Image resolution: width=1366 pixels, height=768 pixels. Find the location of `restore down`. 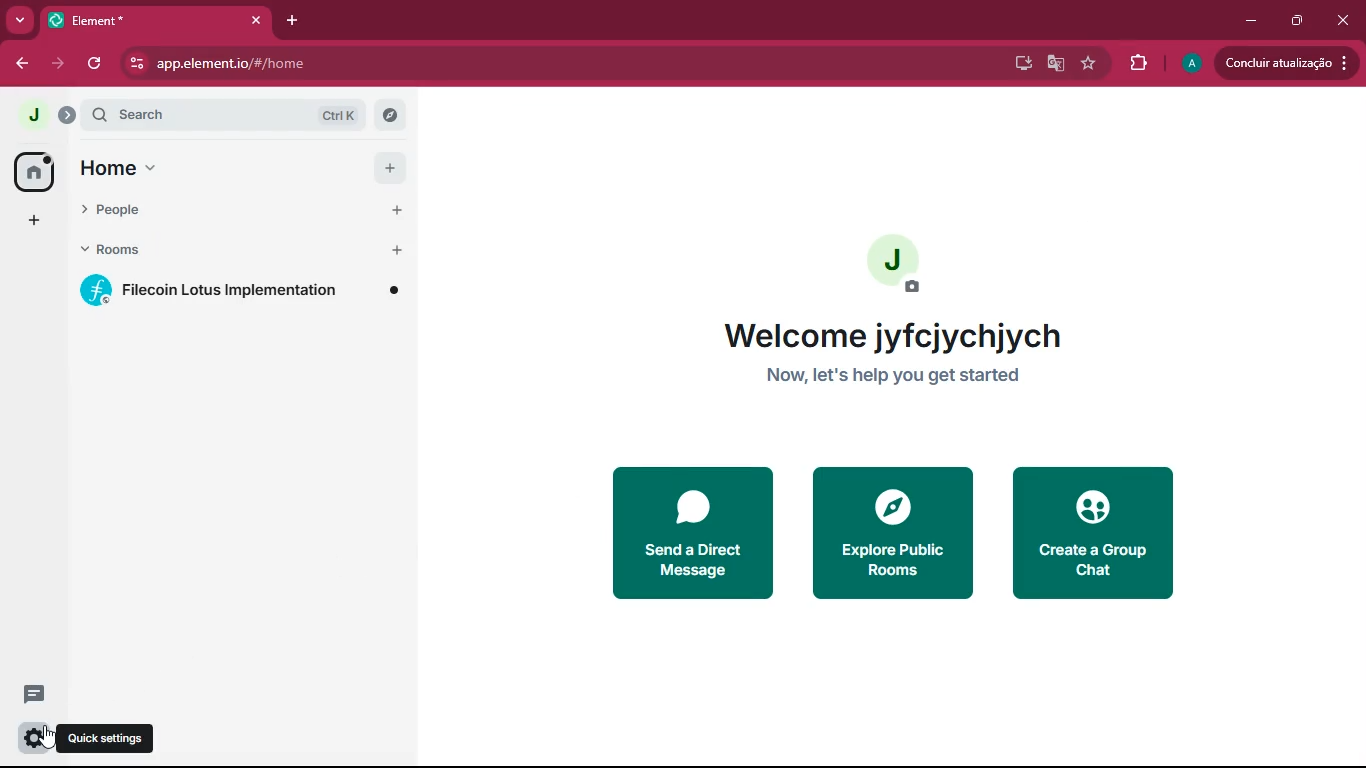

restore down is located at coordinates (1296, 22).